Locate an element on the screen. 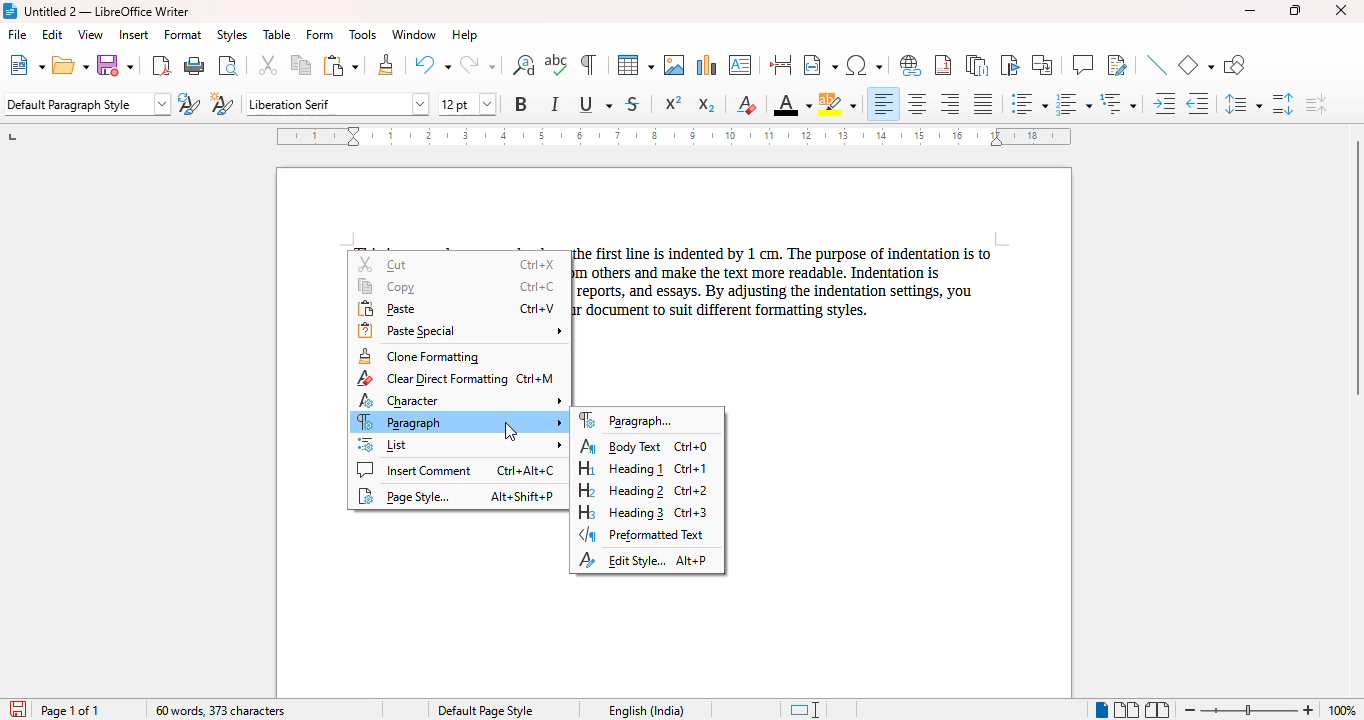 The image size is (1364, 720). preformatted text is located at coordinates (643, 536).